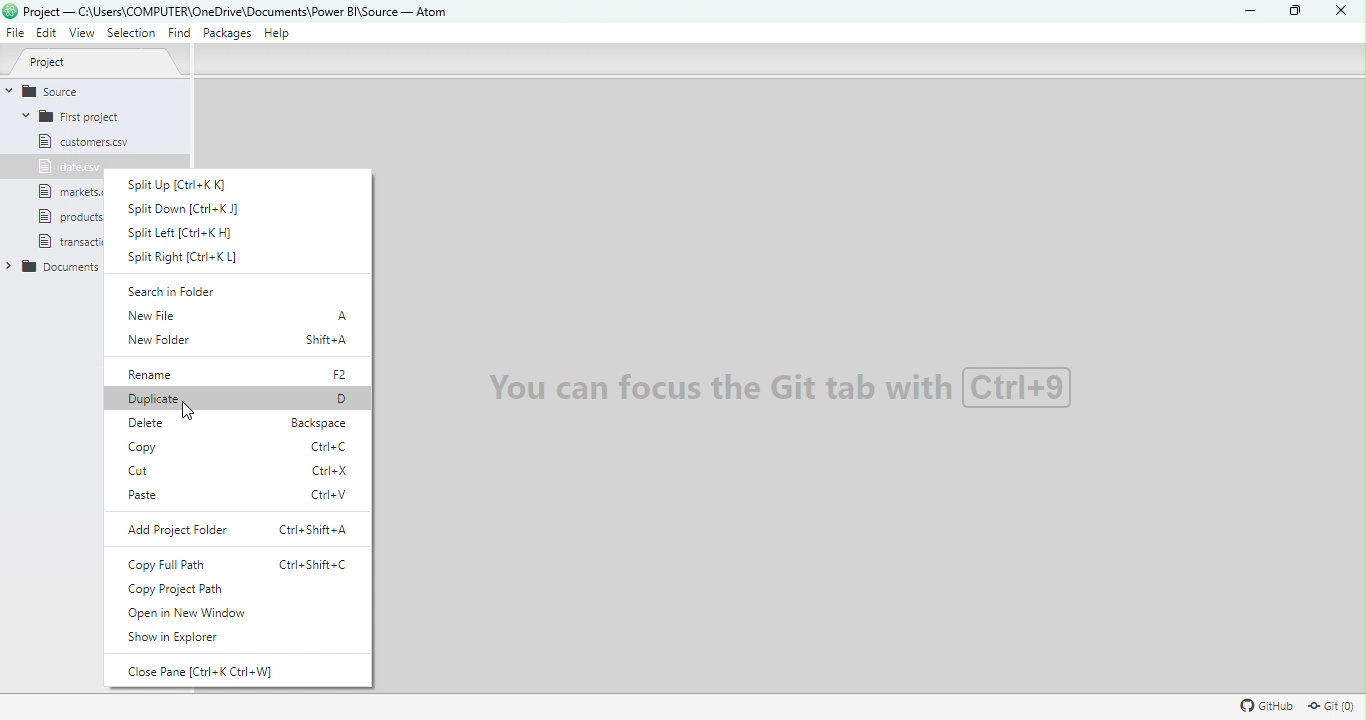 This screenshot has width=1366, height=720. Describe the element at coordinates (193, 258) in the screenshot. I see `Split right` at that location.